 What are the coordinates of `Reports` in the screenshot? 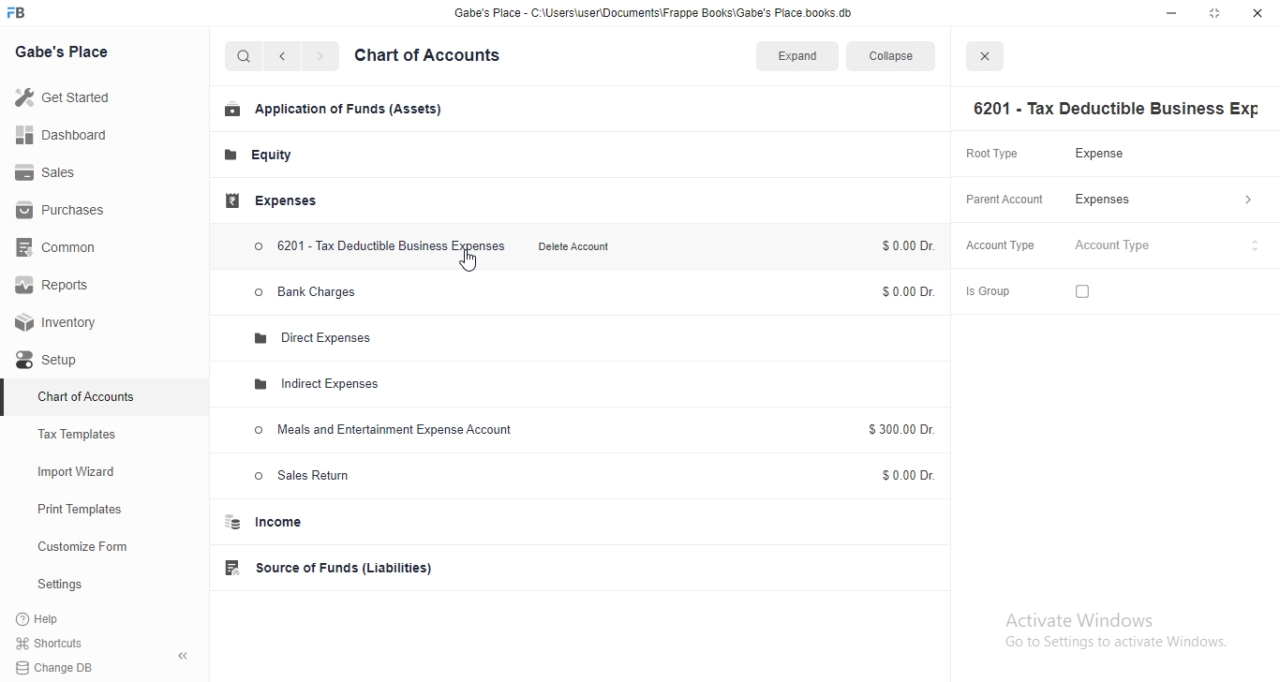 It's located at (57, 286).